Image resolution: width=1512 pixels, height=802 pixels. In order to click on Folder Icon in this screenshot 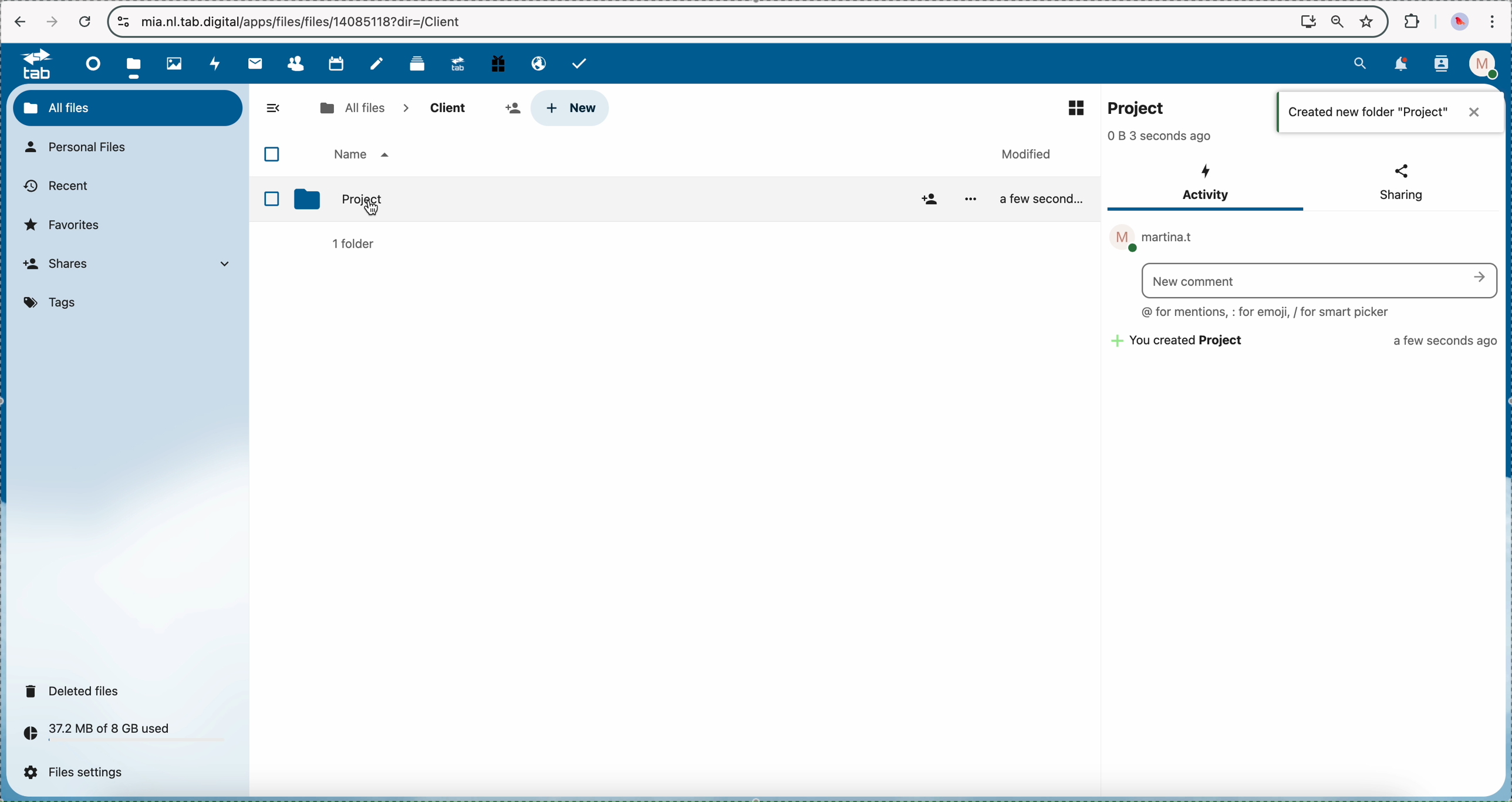, I will do `click(308, 198)`.